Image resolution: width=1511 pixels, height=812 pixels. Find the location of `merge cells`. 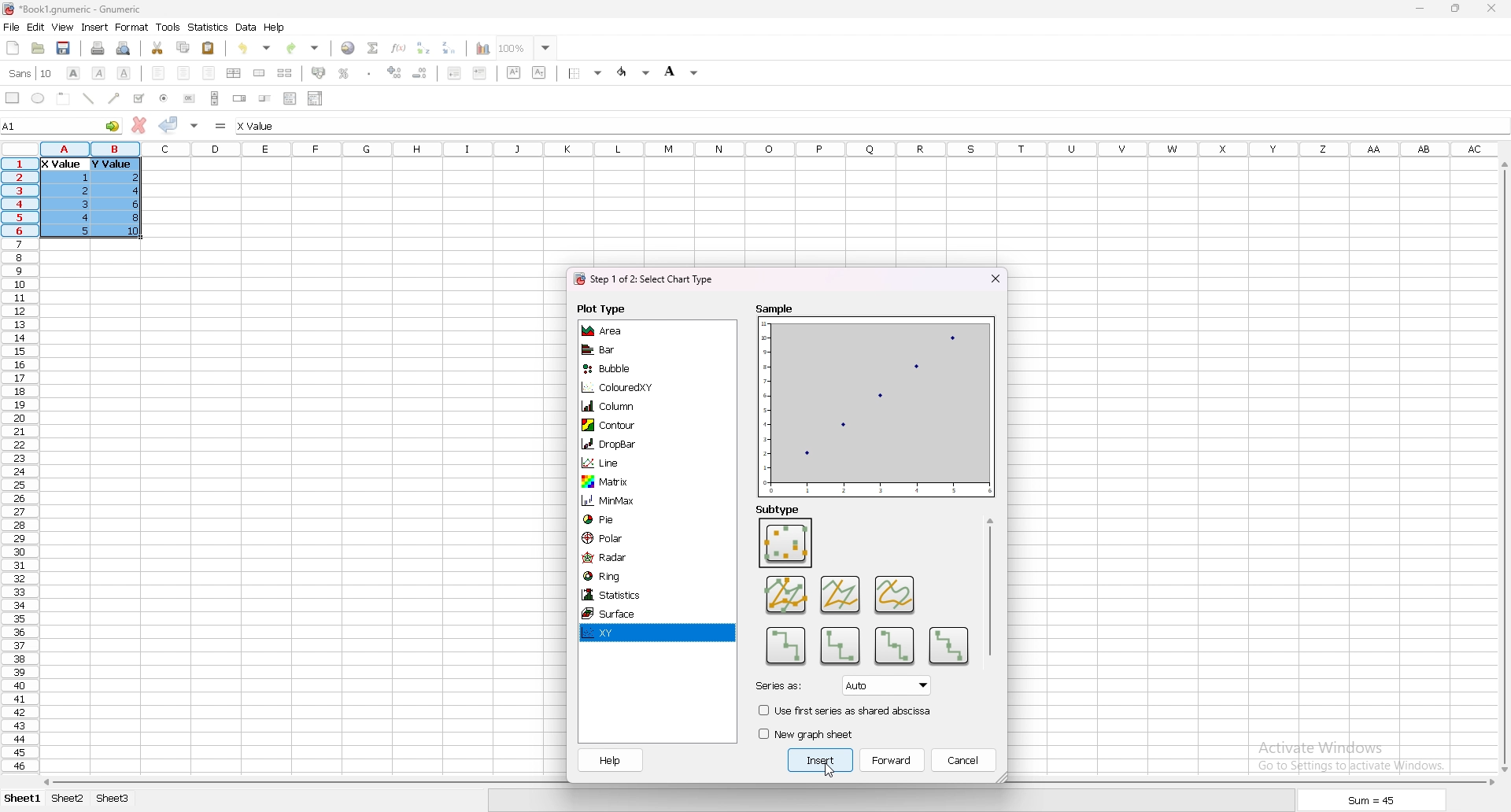

merge cells is located at coordinates (259, 73).